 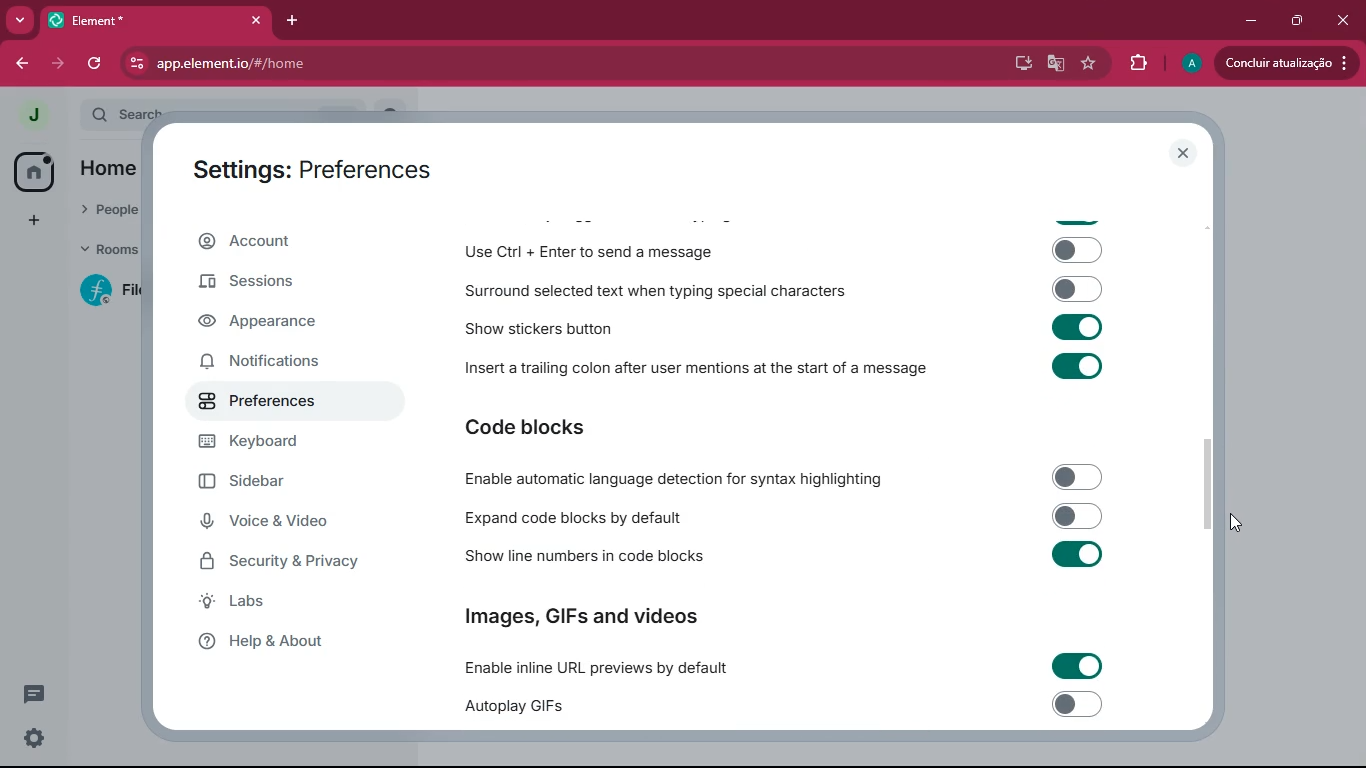 What do you see at coordinates (293, 241) in the screenshot?
I see `account` at bounding box center [293, 241].